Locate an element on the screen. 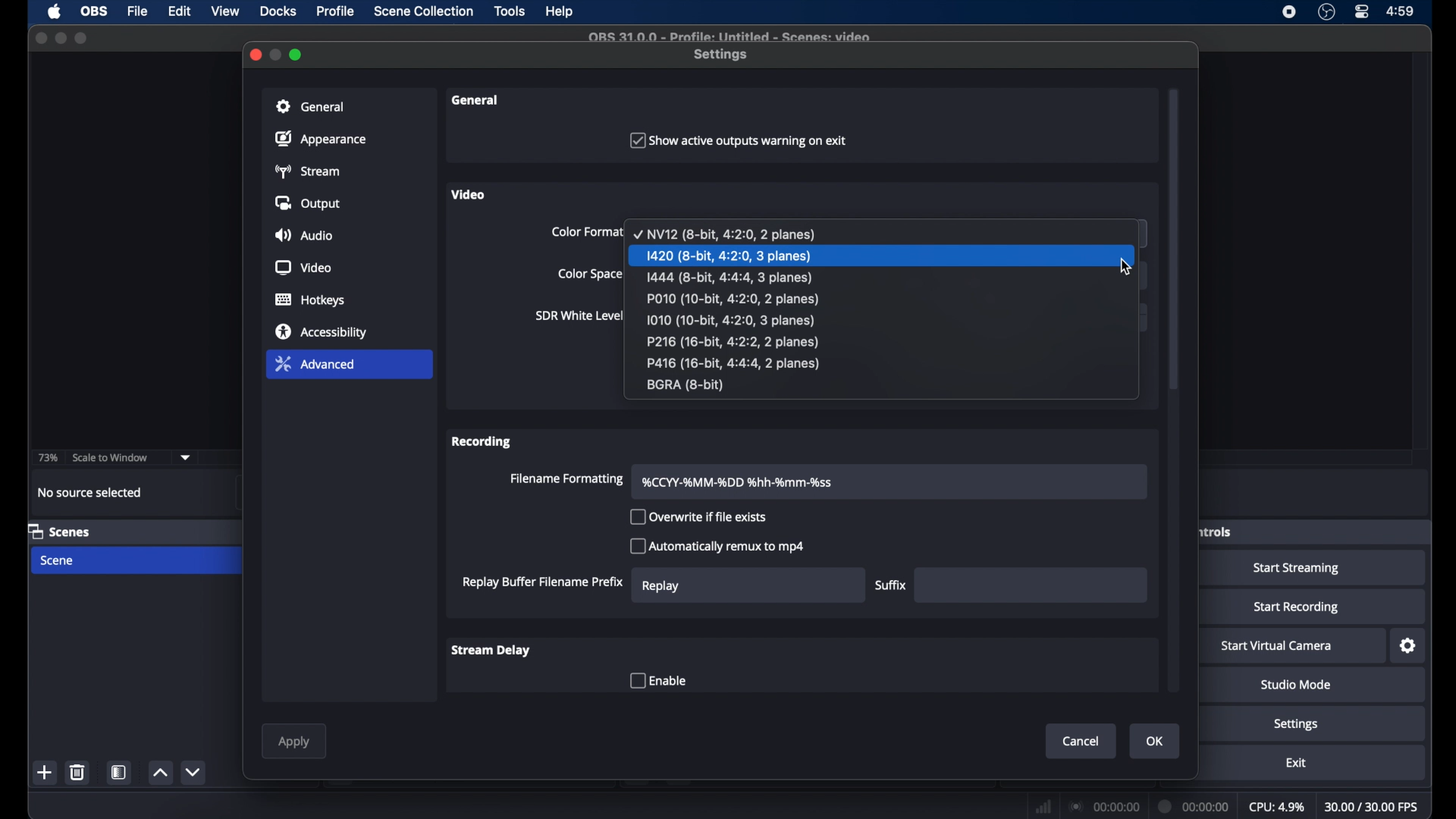 Image resolution: width=1456 pixels, height=819 pixels. advanced is located at coordinates (349, 366).